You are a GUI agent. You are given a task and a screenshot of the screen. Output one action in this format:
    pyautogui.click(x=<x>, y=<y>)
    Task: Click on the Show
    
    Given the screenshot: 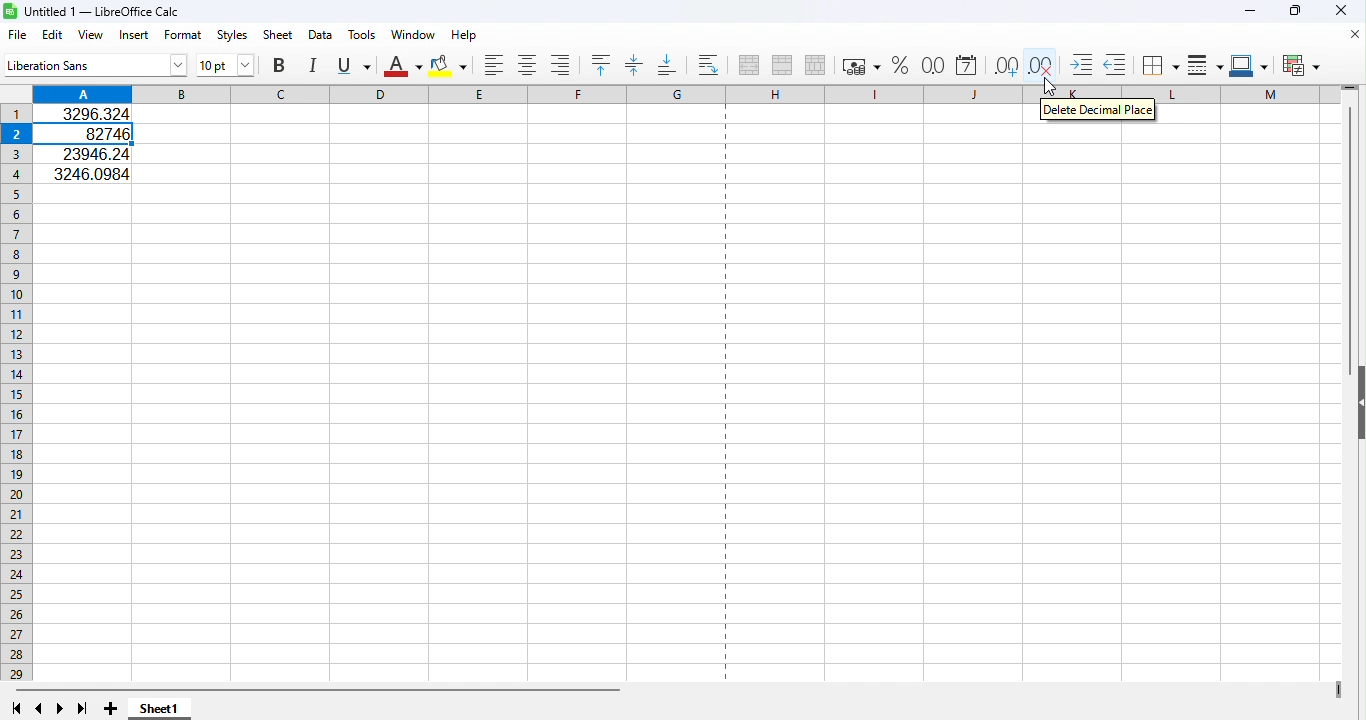 What is the action you would take?
    pyautogui.click(x=1358, y=406)
    